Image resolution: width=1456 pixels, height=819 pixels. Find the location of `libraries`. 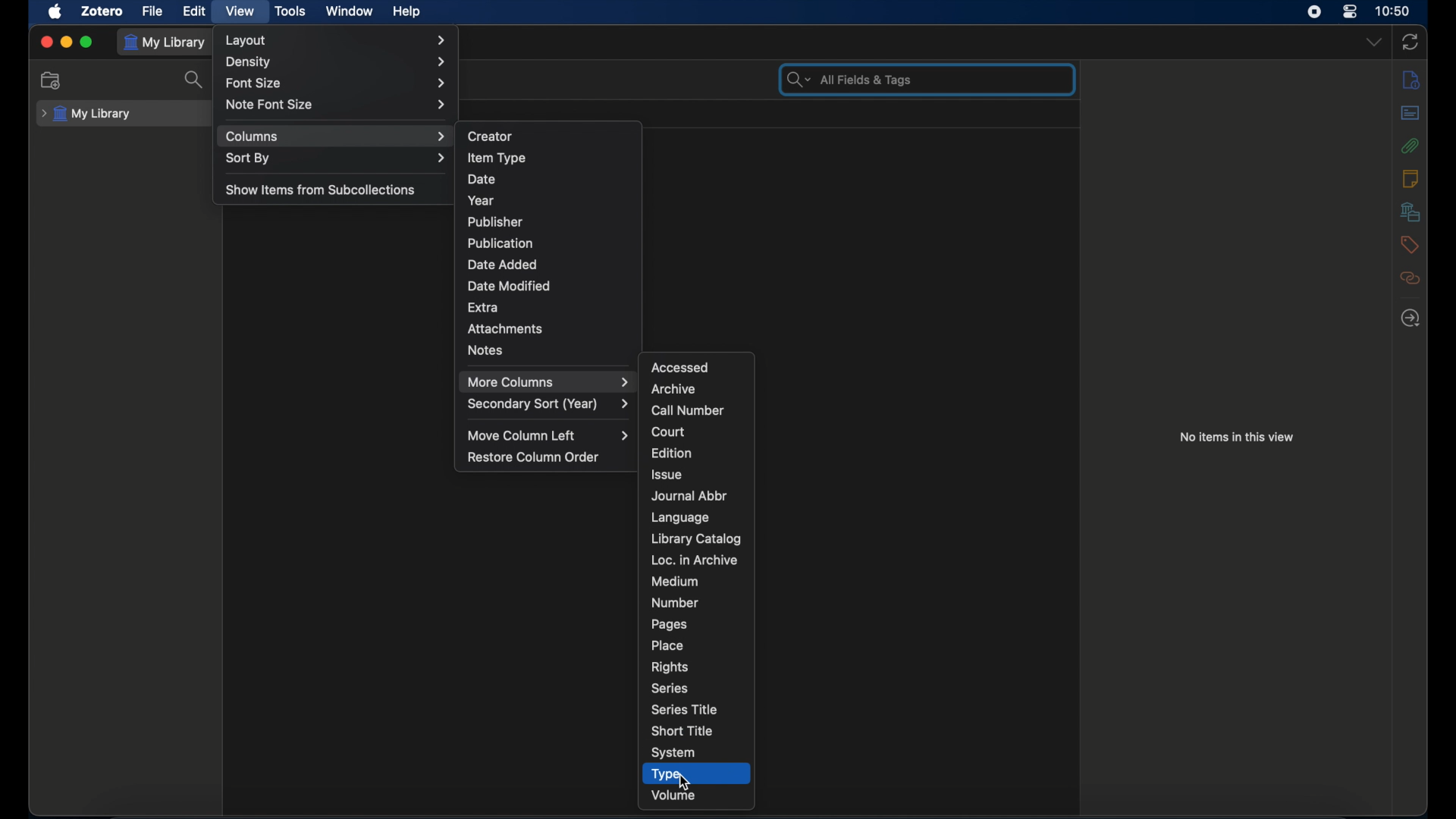

libraries is located at coordinates (1410, 212).